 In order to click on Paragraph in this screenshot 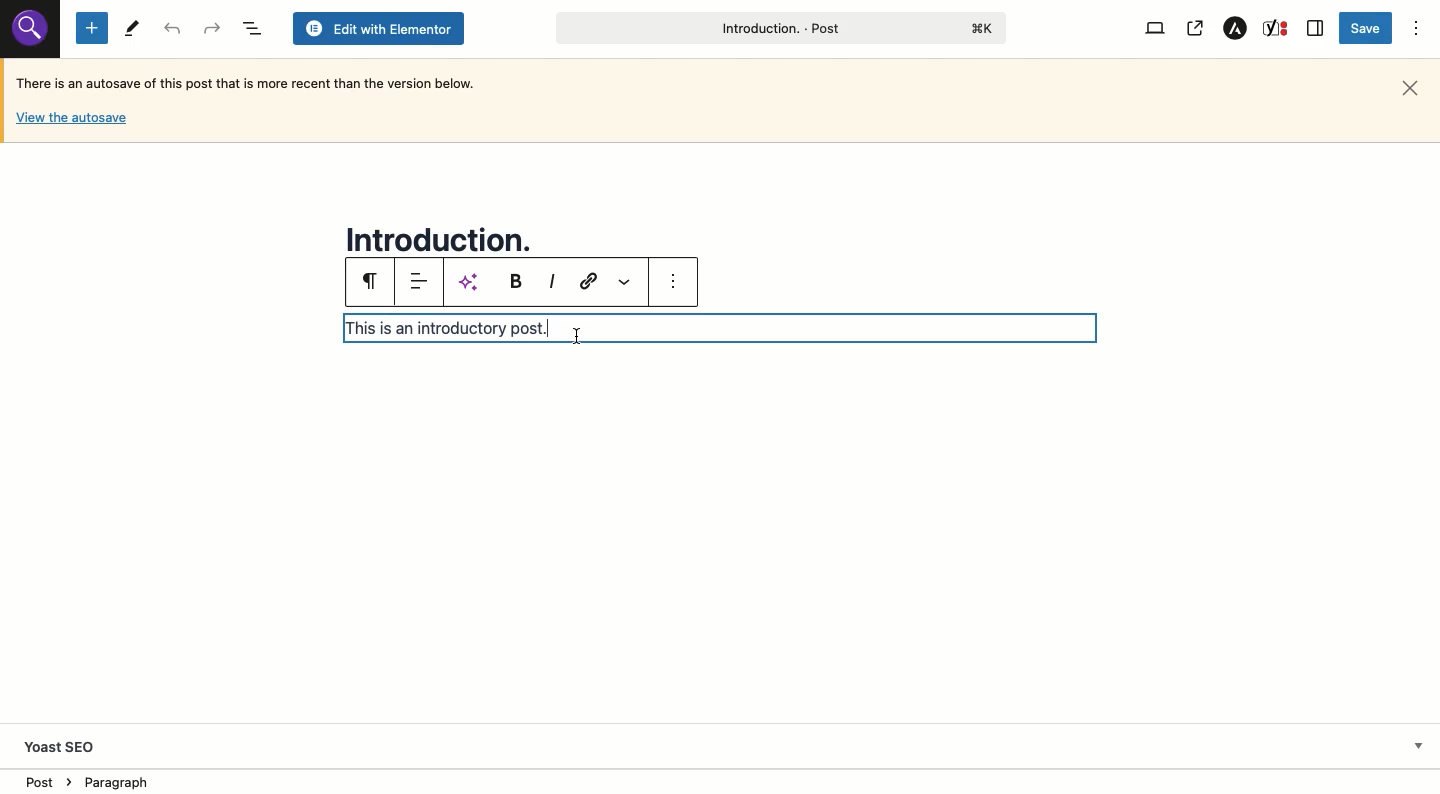, I will do `click(370, 282)`.